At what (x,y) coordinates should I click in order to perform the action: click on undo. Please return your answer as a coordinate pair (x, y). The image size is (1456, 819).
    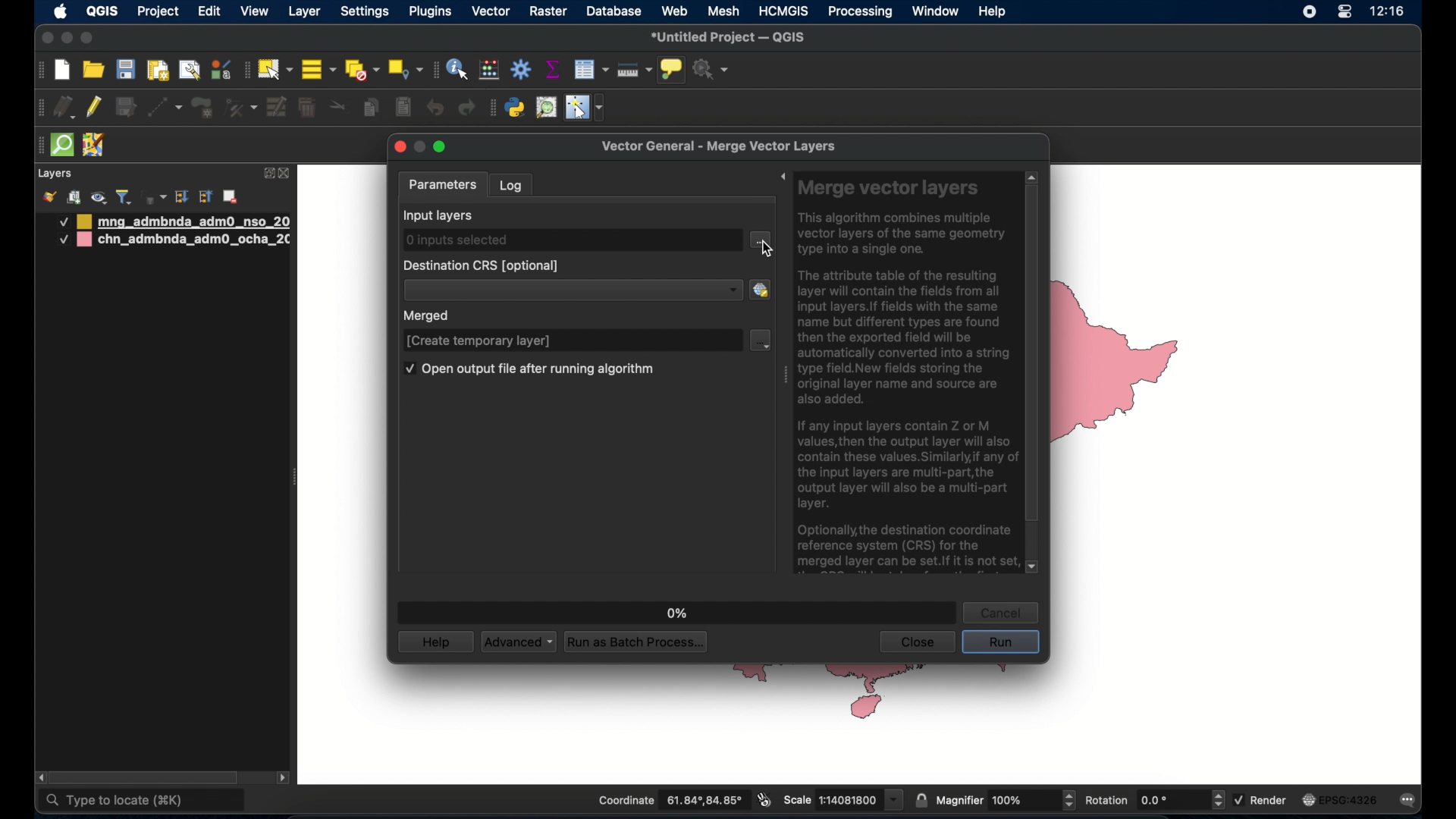
    Looking at the image, I should click on (436, 108).